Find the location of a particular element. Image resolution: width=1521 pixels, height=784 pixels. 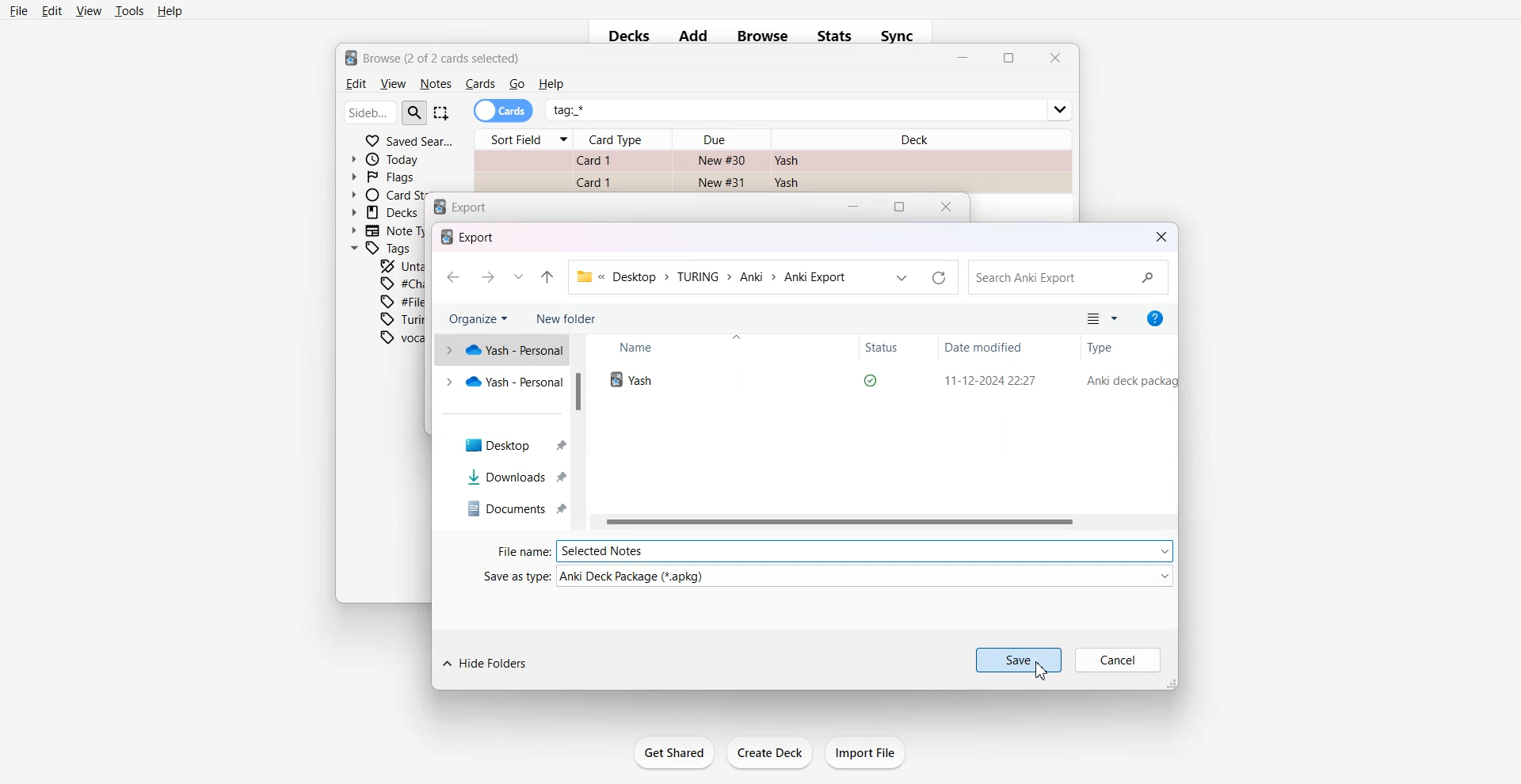

Minimize is located at coordinates (963, 59).